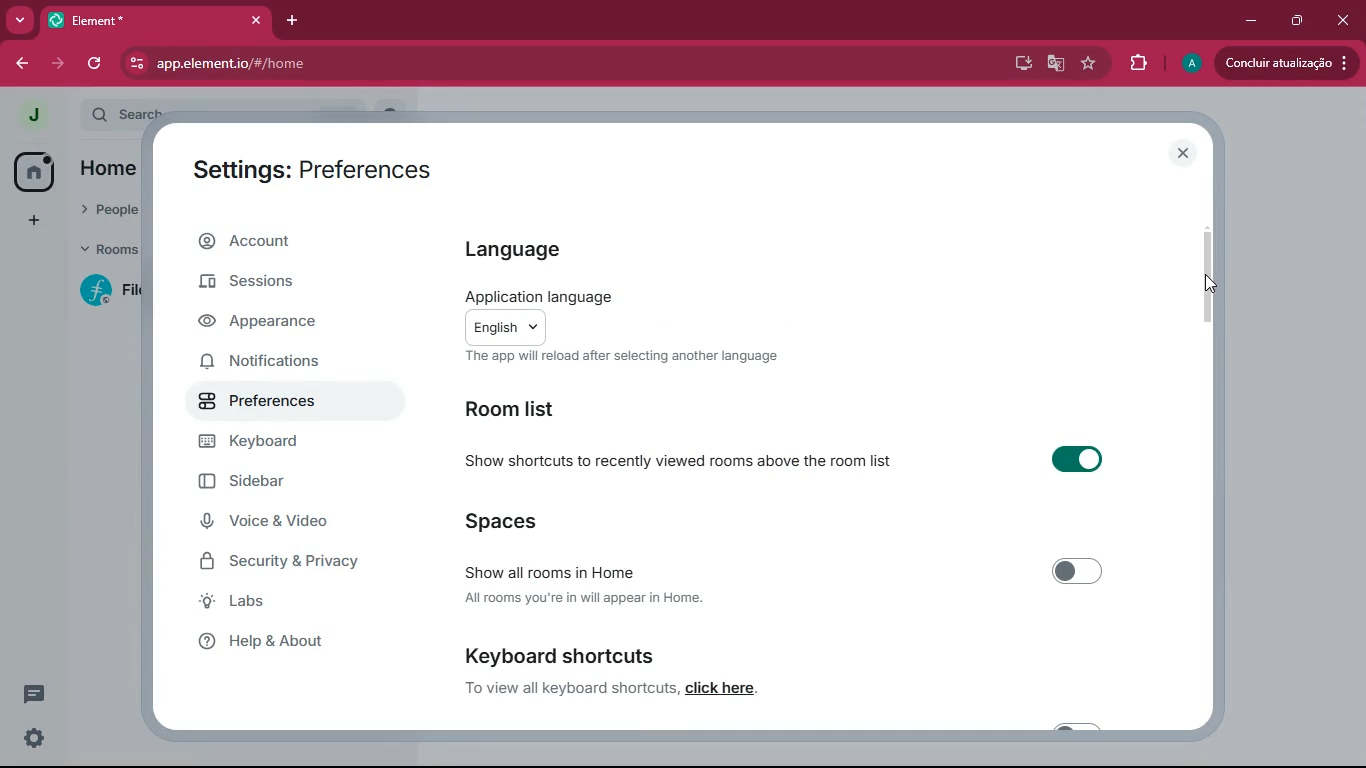 This screenshot has height=768, width=1366. I want to click on home, so click(36, 173).